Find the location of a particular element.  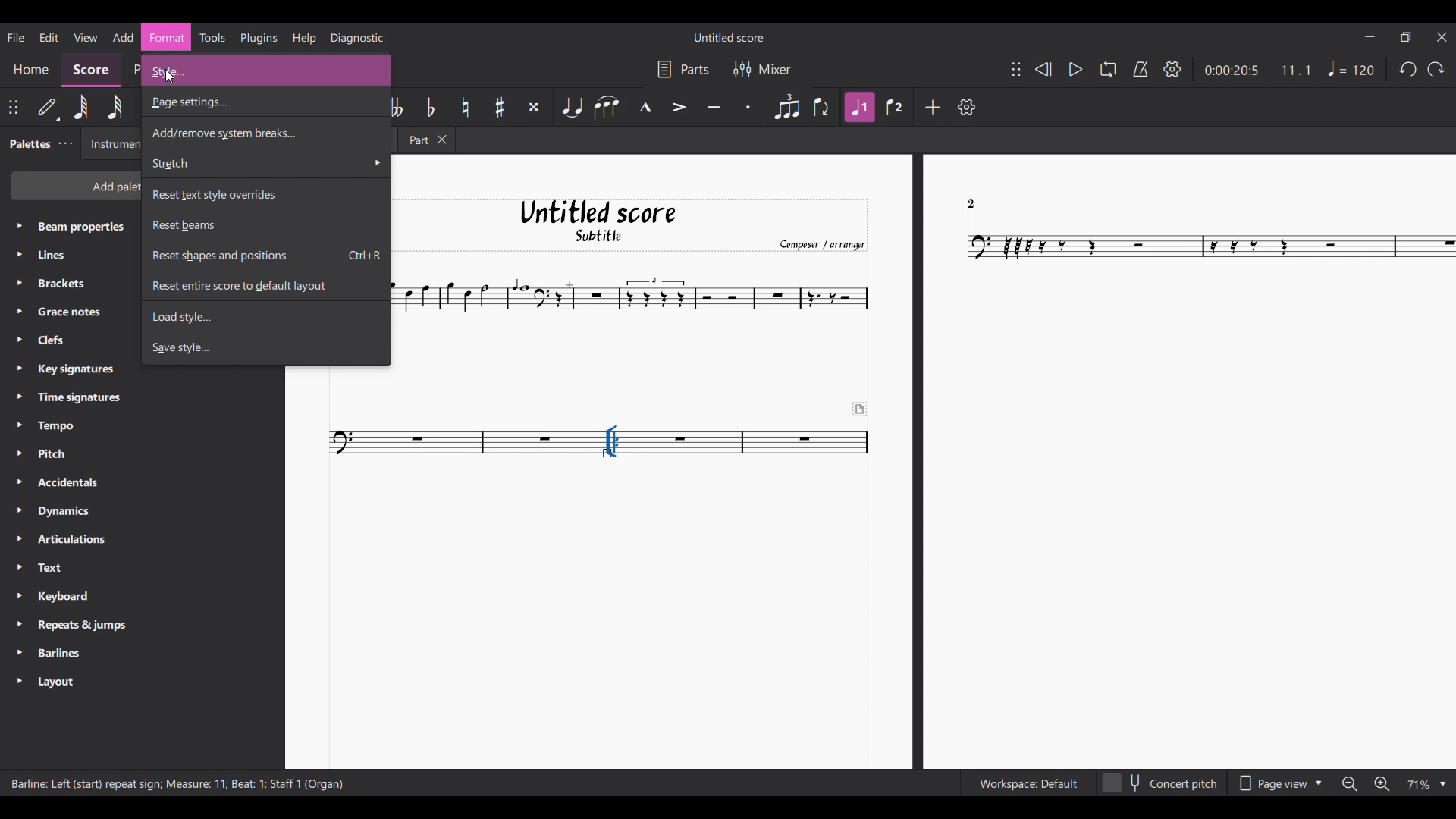

Accent is located at coordinates (680, 106).